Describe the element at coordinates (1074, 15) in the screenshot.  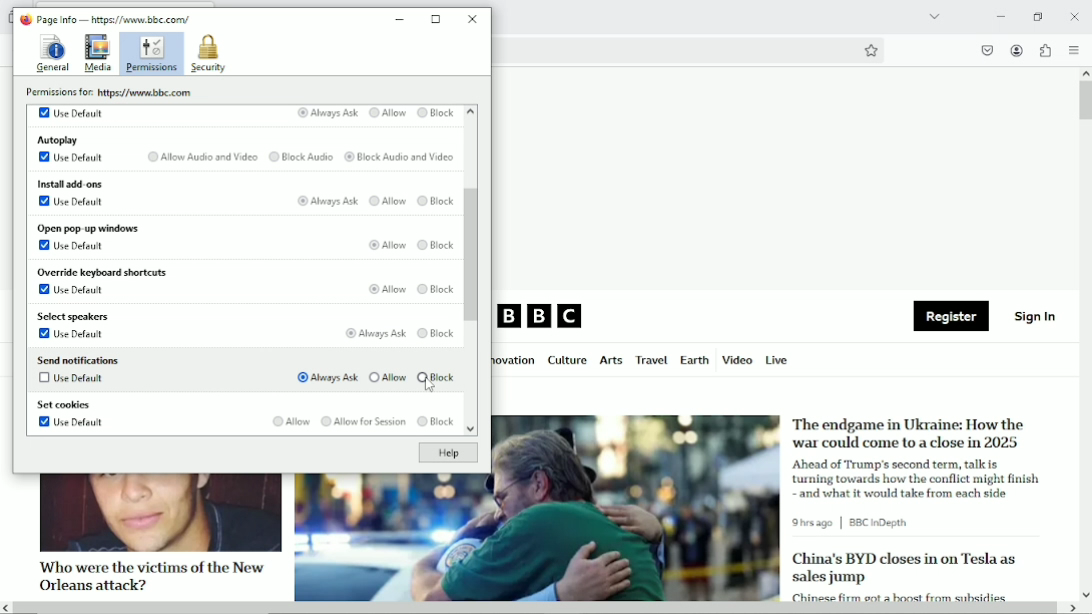
I see `close` at that location.